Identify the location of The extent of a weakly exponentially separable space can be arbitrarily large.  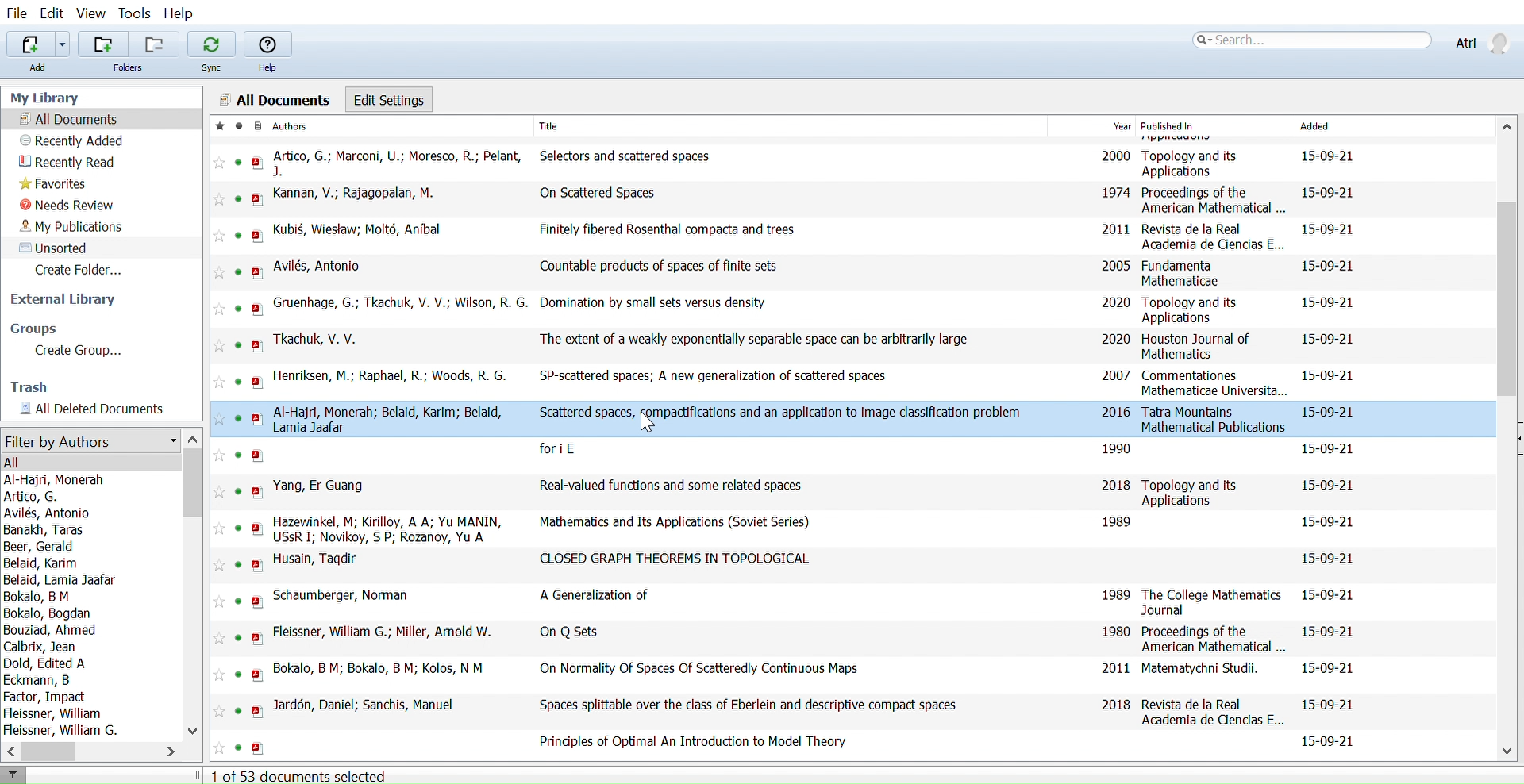
(756, 339).